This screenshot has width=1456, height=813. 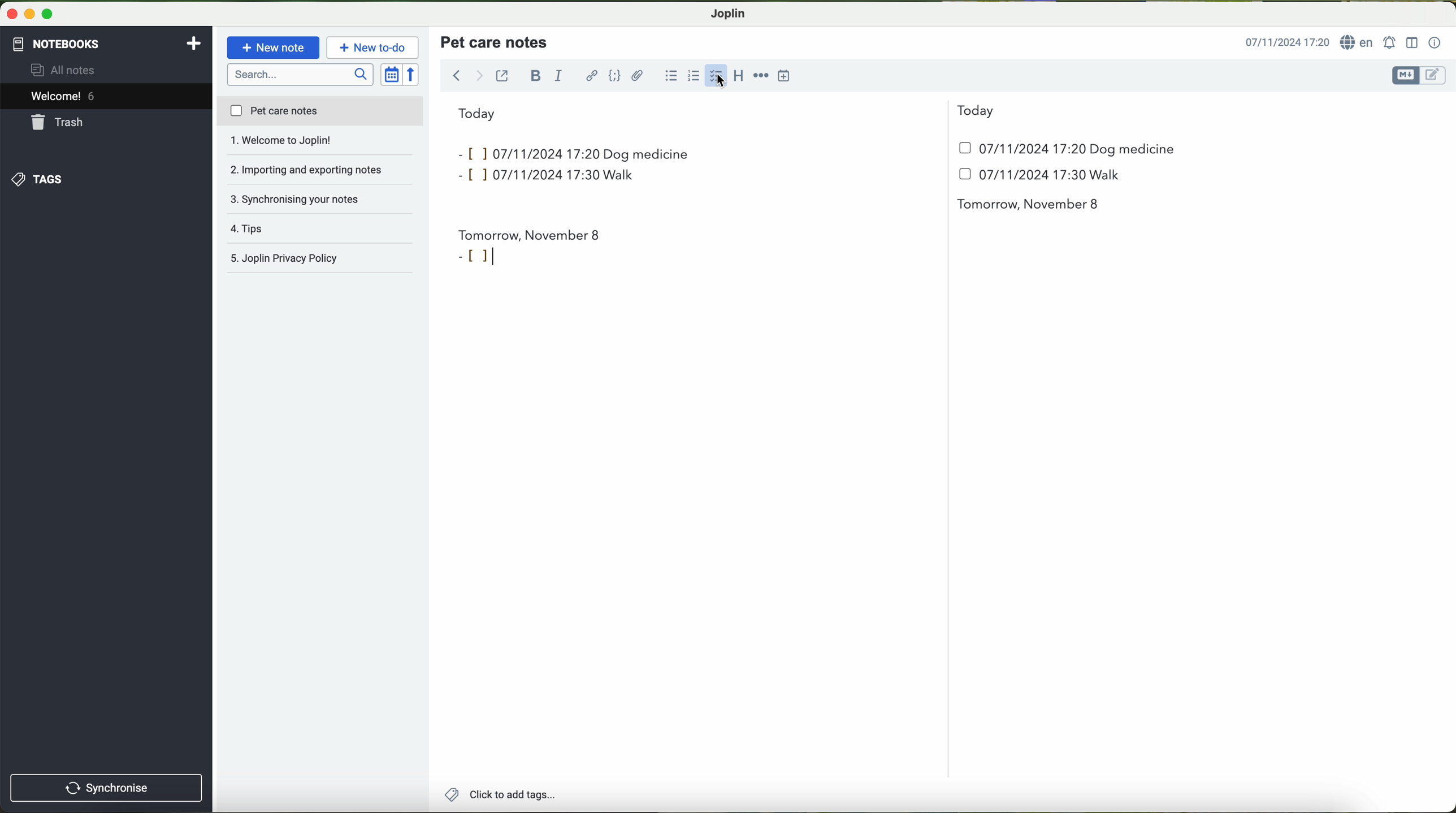 What do you see at coordinates (647, 154) in the screenshot?
I see `dog medicine` at bounding box center [647, 154].